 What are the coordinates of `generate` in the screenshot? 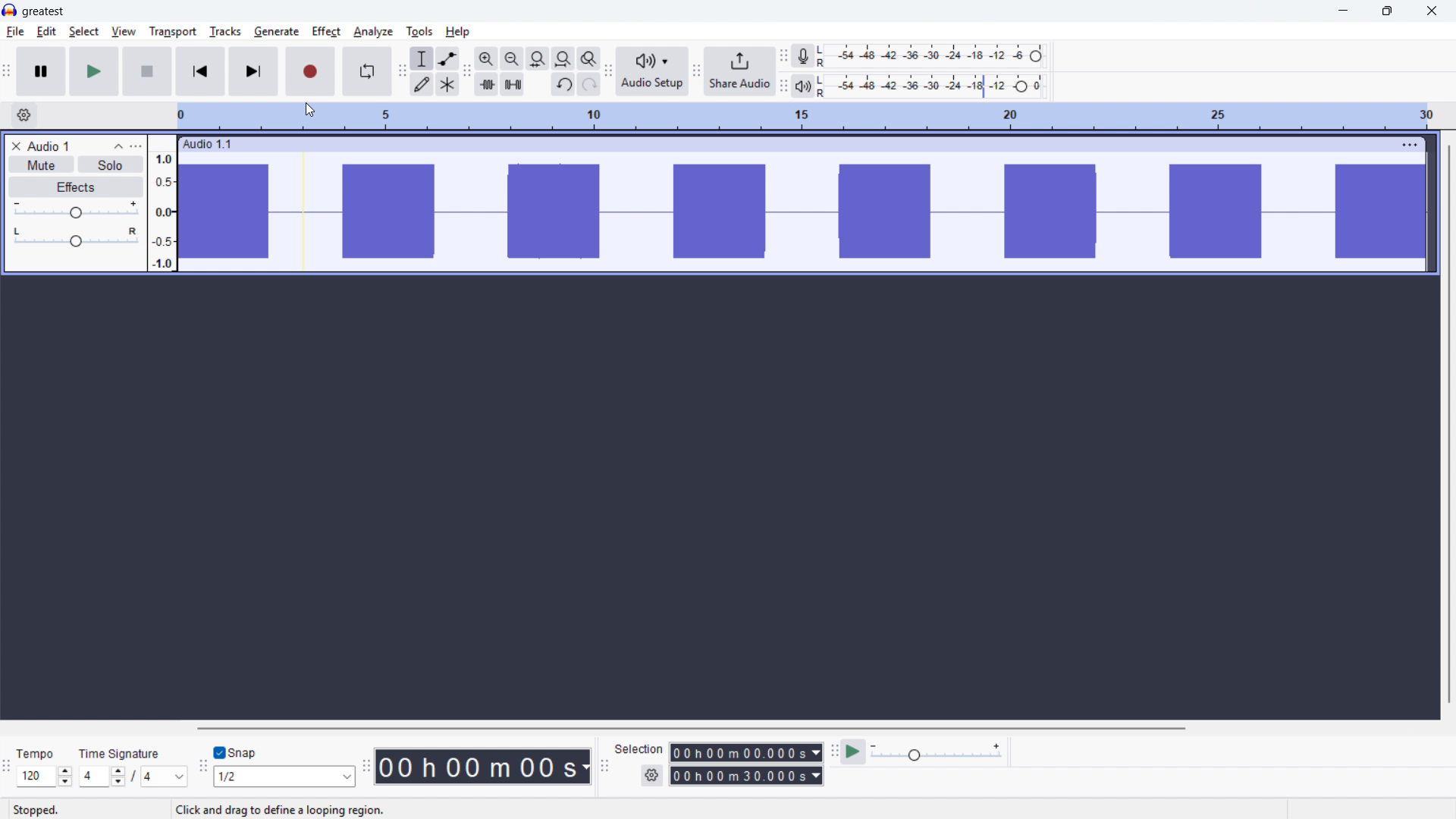 It's located at (275, 32).